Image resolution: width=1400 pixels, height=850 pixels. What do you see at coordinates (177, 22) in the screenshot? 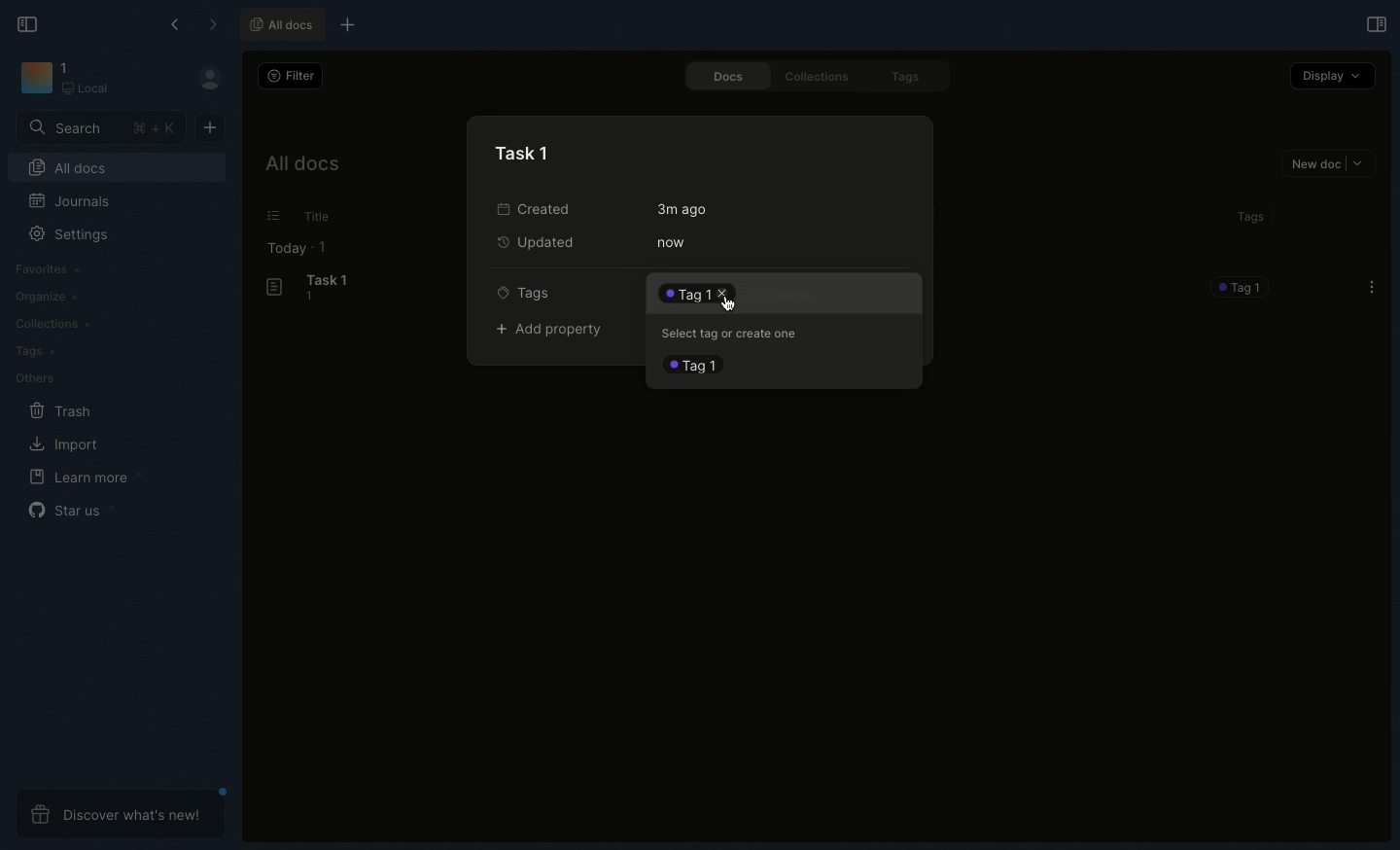
I see `Left arrow` at bounding box center [177, 22].